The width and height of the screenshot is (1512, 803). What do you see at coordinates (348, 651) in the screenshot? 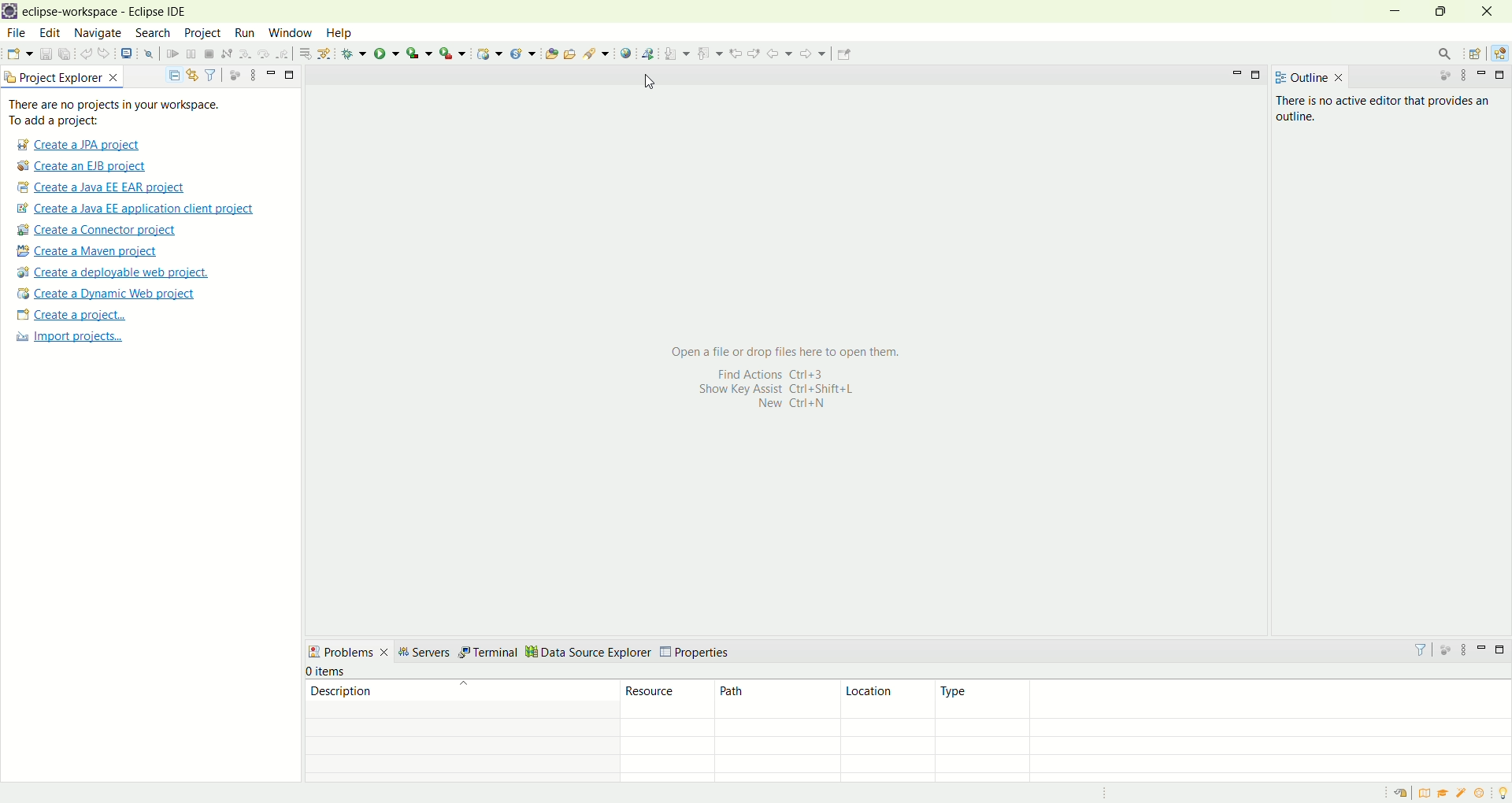
I see `problems` at bounding box center [348, 651].